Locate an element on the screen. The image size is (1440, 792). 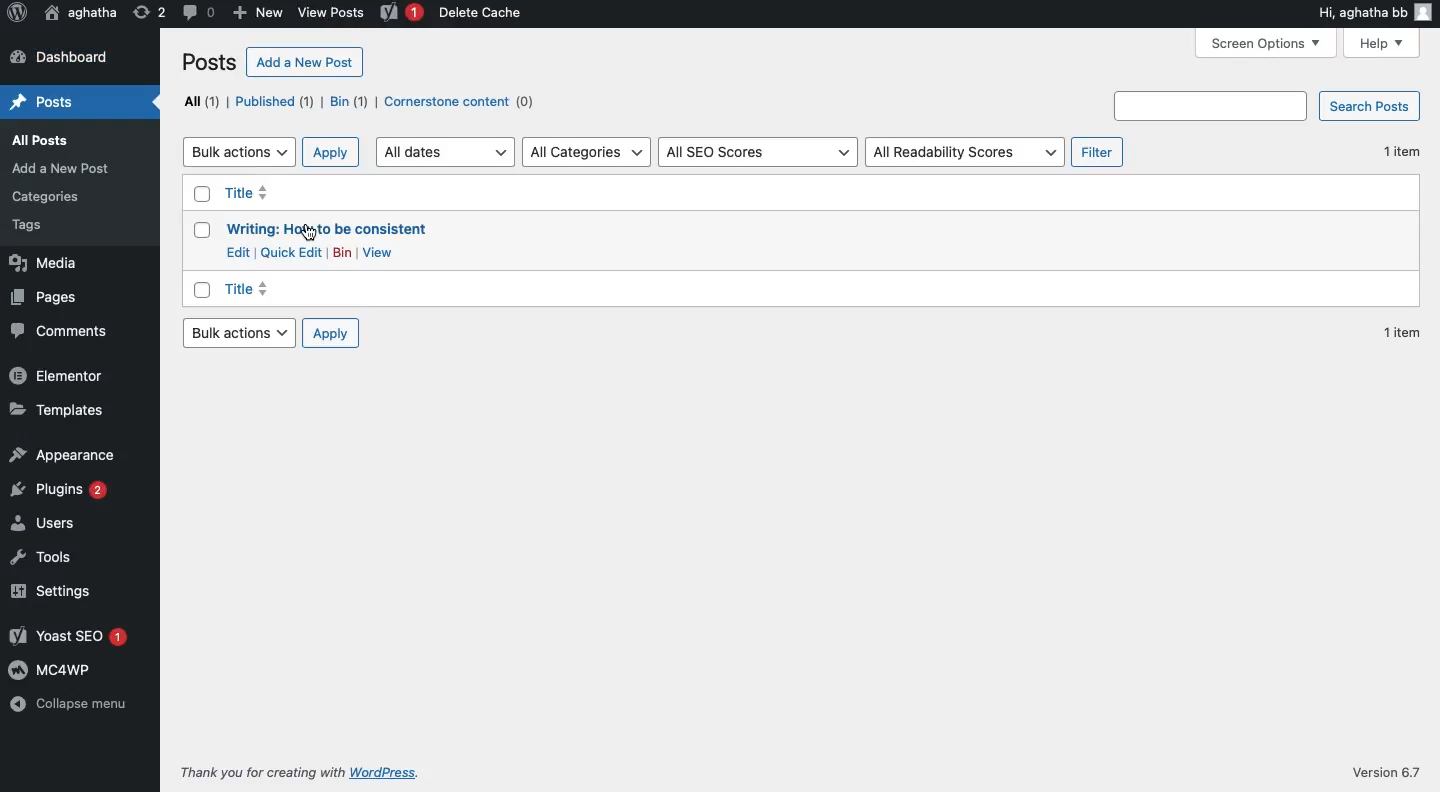
1 item is located at coordinates (1393, 153).